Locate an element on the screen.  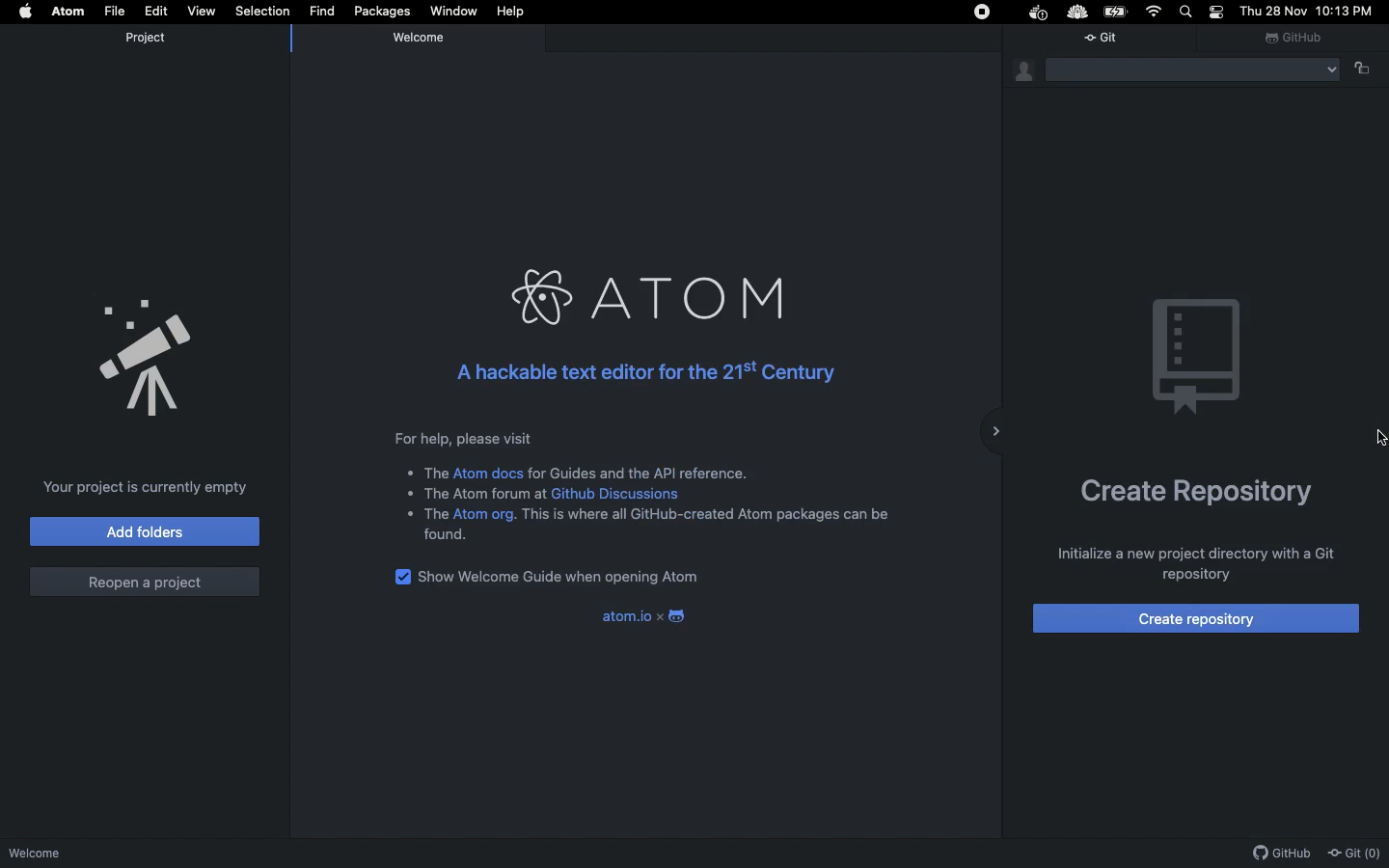
Apple logo is located at coordinates (18, 12).